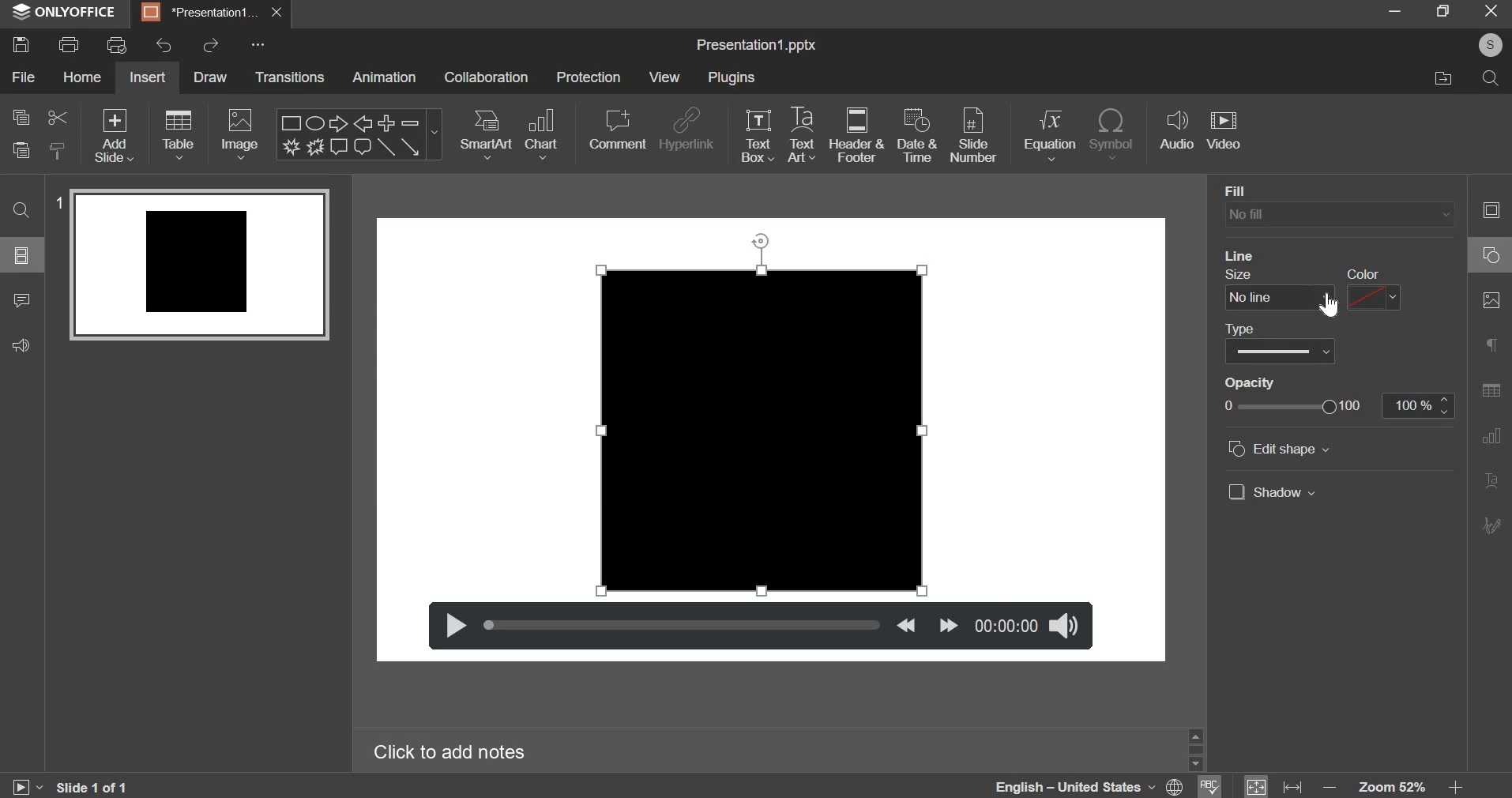 This screenshot has width=1512, height=798. What do you see at coordinates (1224, 130) in the screenshot?
I see `video` at bounding box center [1224, 130].